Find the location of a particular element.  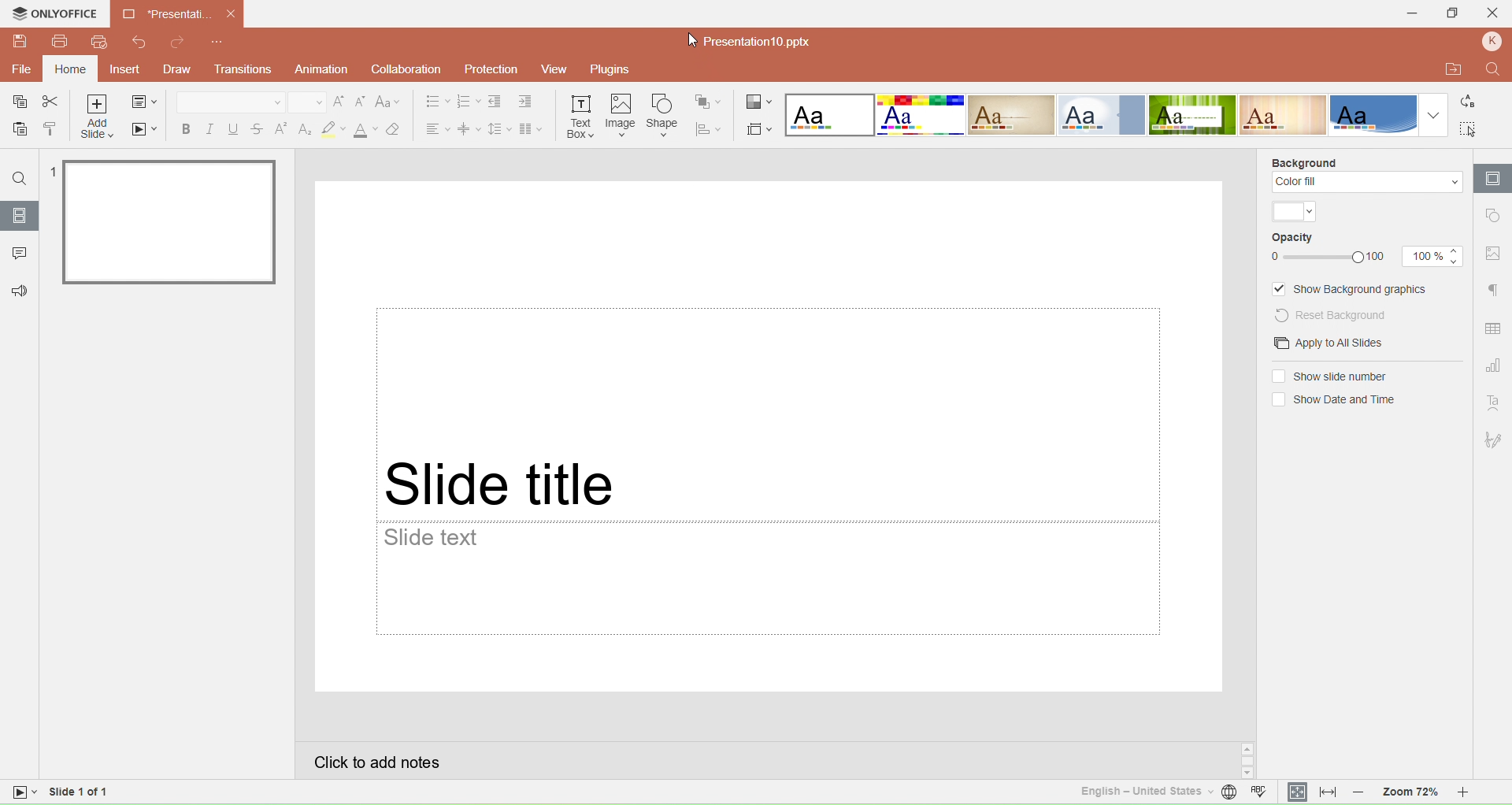

Insert text box is located at coordinates (581, 114).